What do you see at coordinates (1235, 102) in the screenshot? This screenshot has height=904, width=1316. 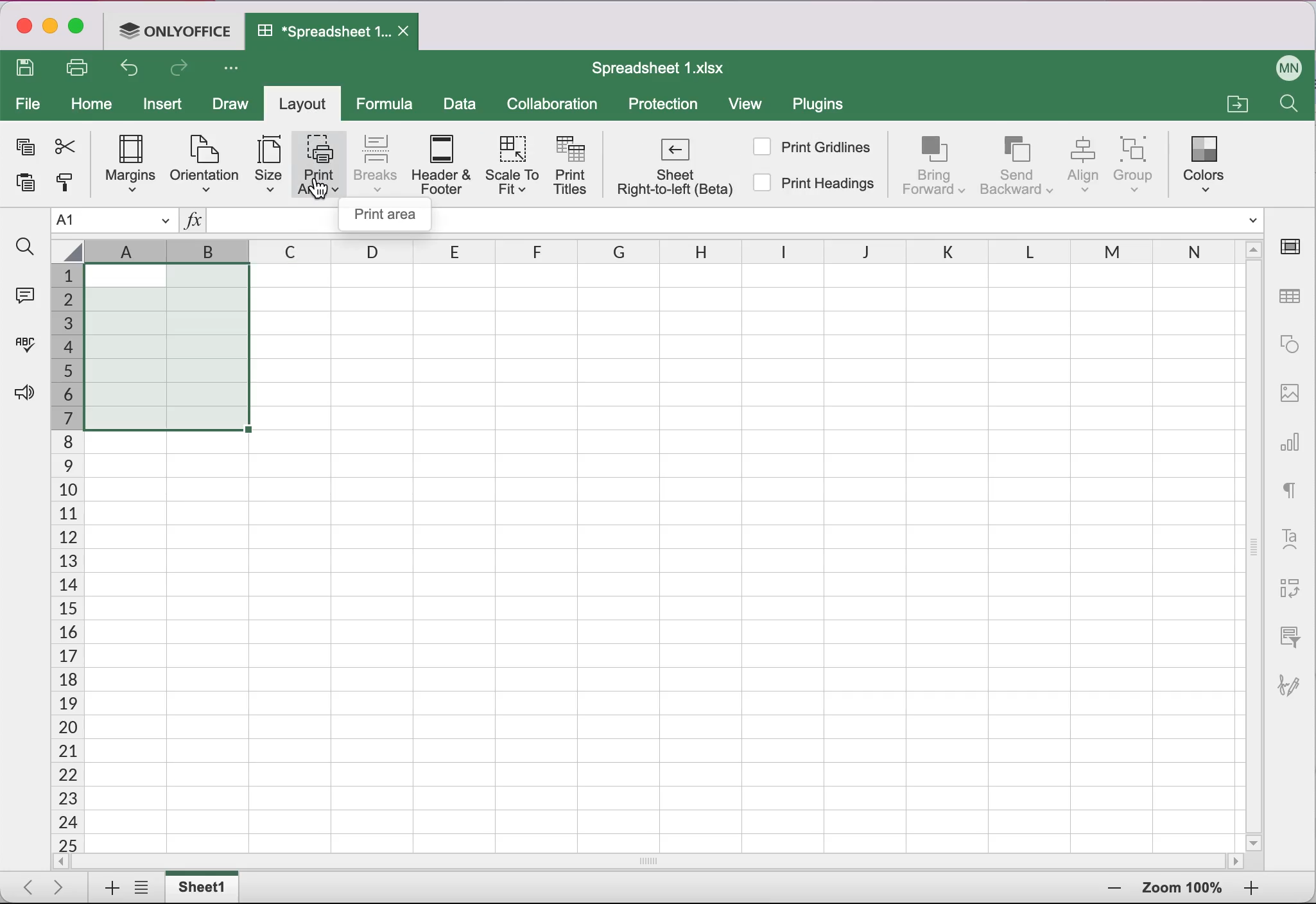 I see `open file location` at bounding box center [1235, 102].